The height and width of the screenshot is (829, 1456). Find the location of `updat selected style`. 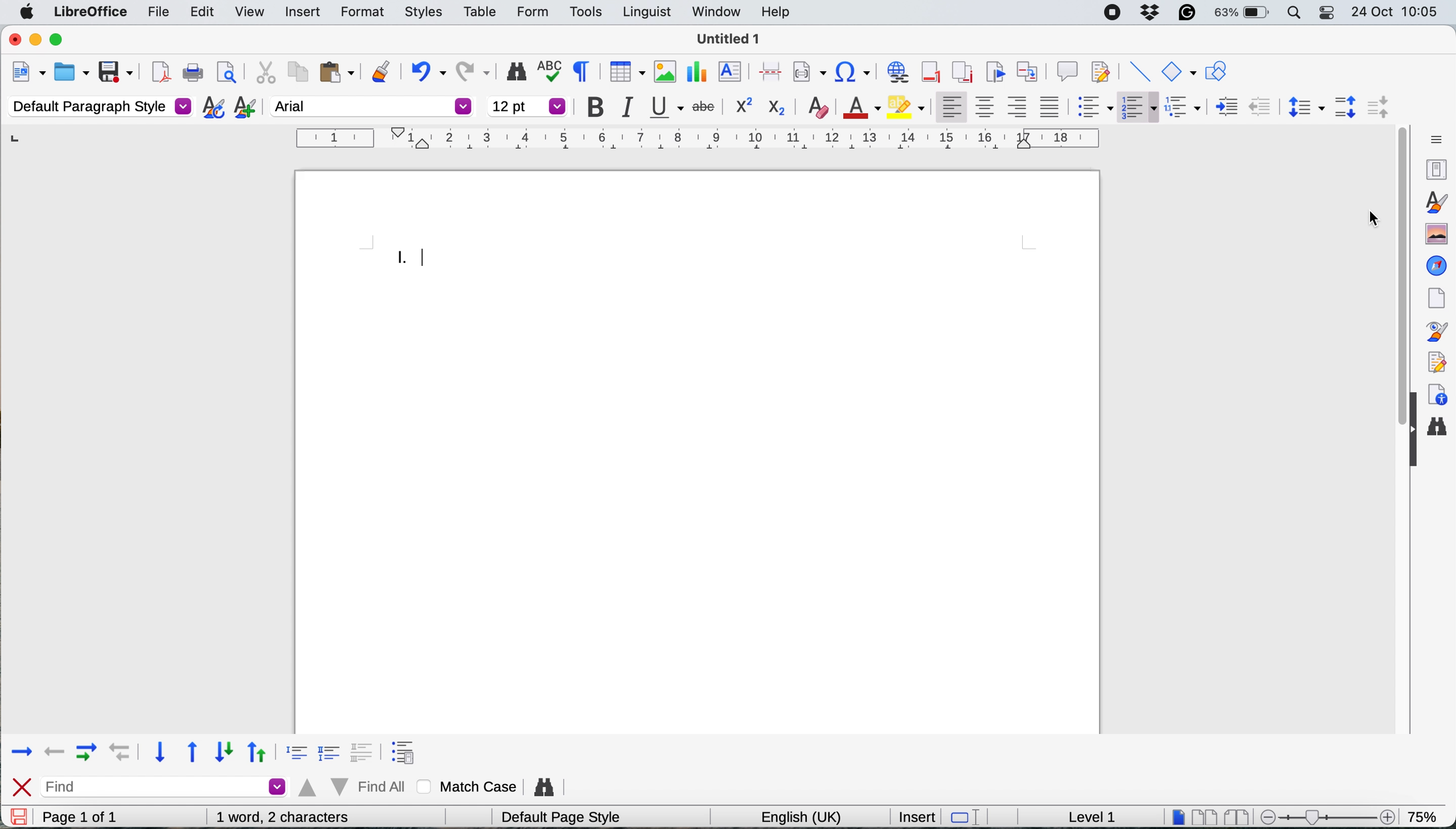

updat selected style is located at coordinates (212, 107).